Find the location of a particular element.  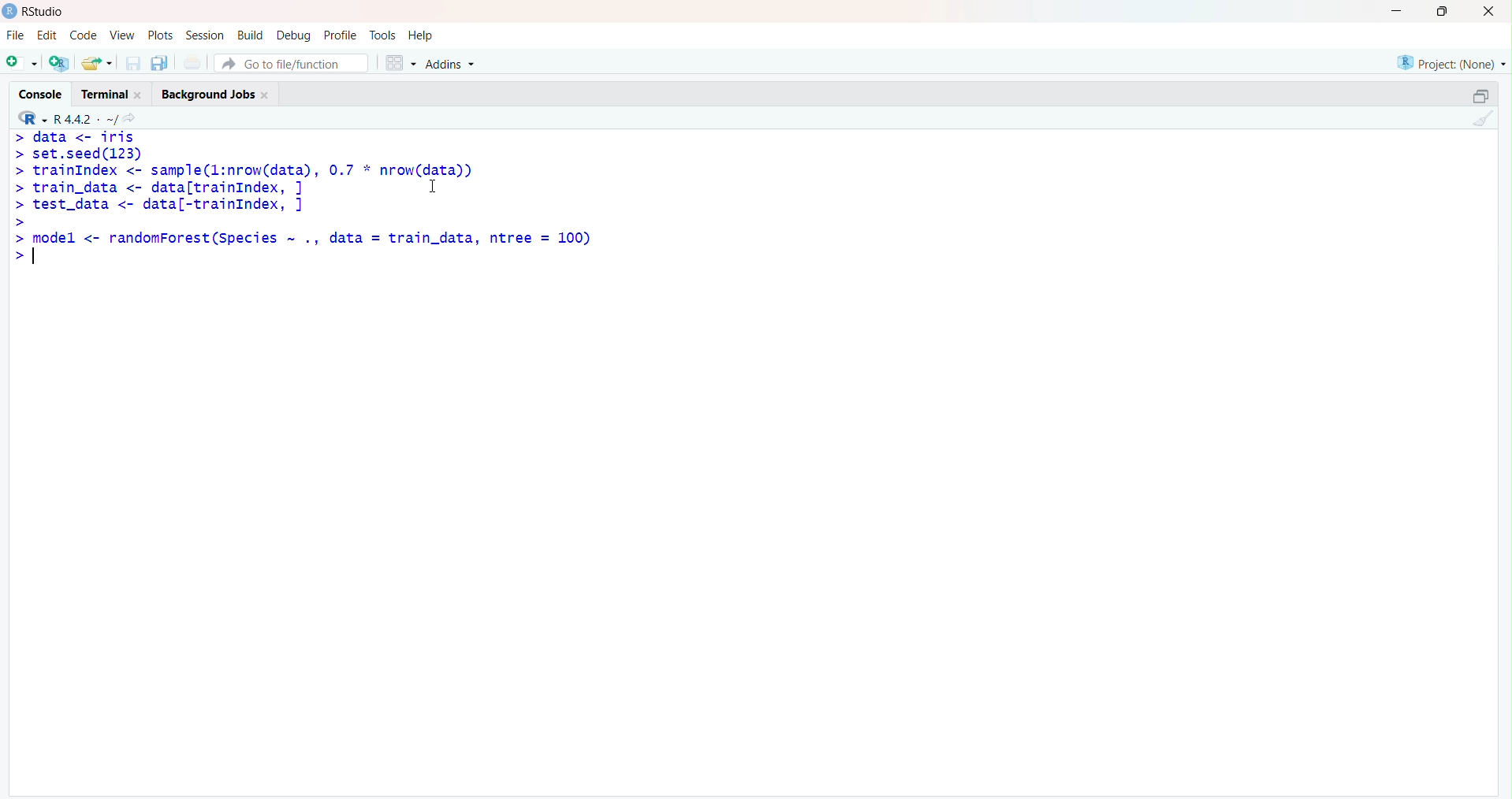

Prompt cursor is located at coordinates (19, 258).